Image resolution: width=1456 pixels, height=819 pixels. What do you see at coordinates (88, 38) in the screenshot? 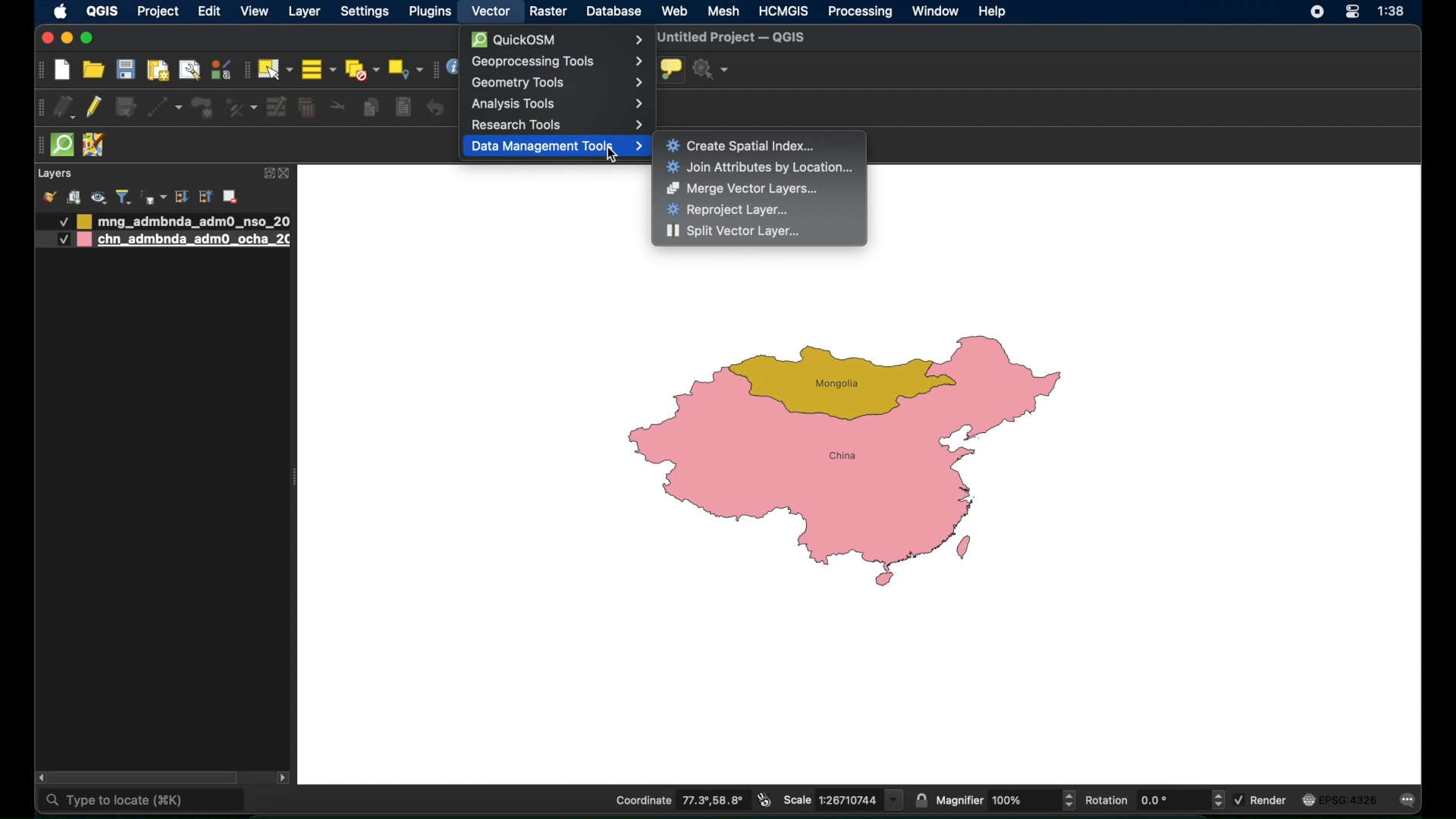
I see `maximize` at bounding box center [88, 38].